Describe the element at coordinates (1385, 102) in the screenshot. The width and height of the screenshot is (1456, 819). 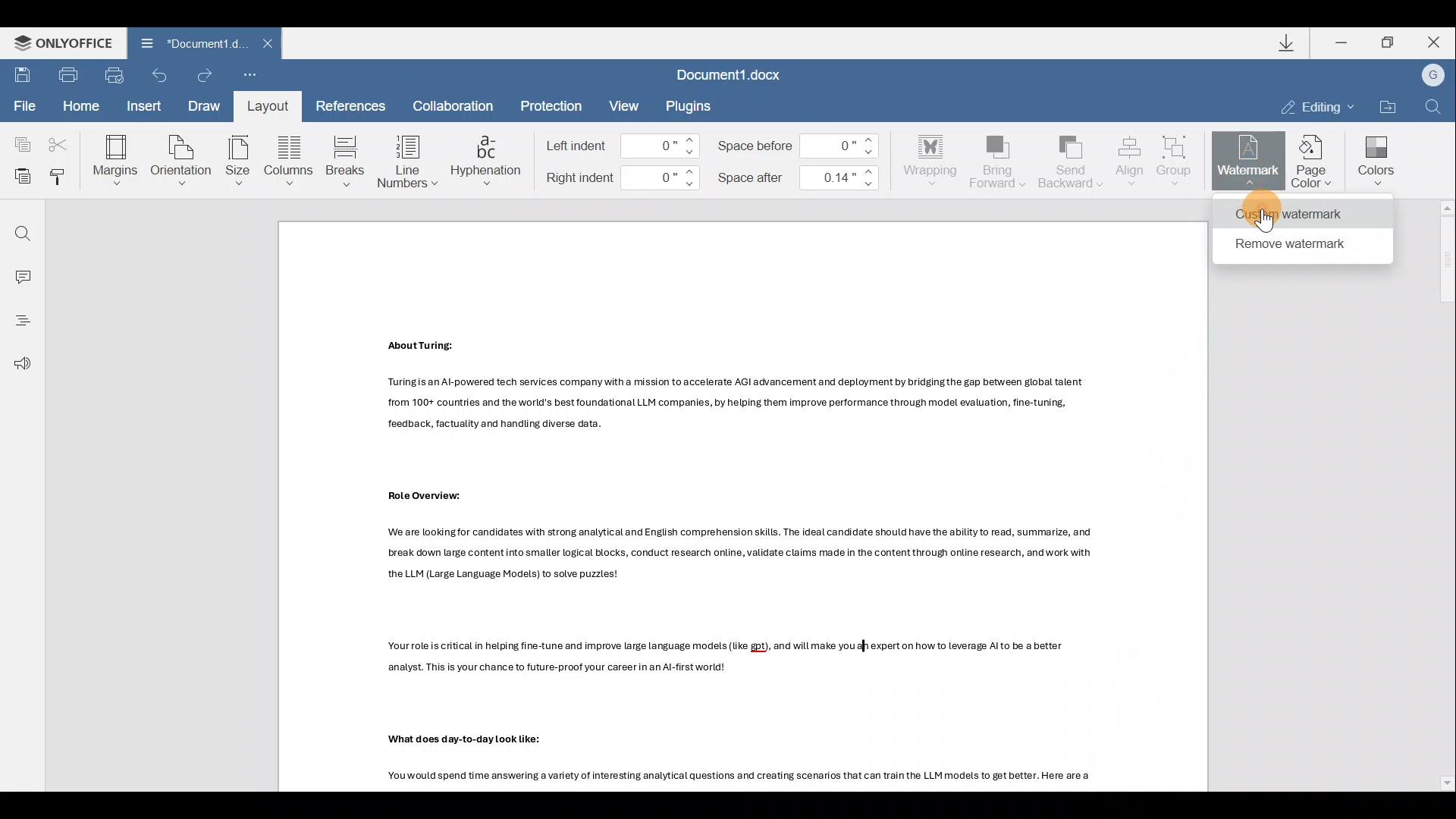
I see `Open file location` at that location.